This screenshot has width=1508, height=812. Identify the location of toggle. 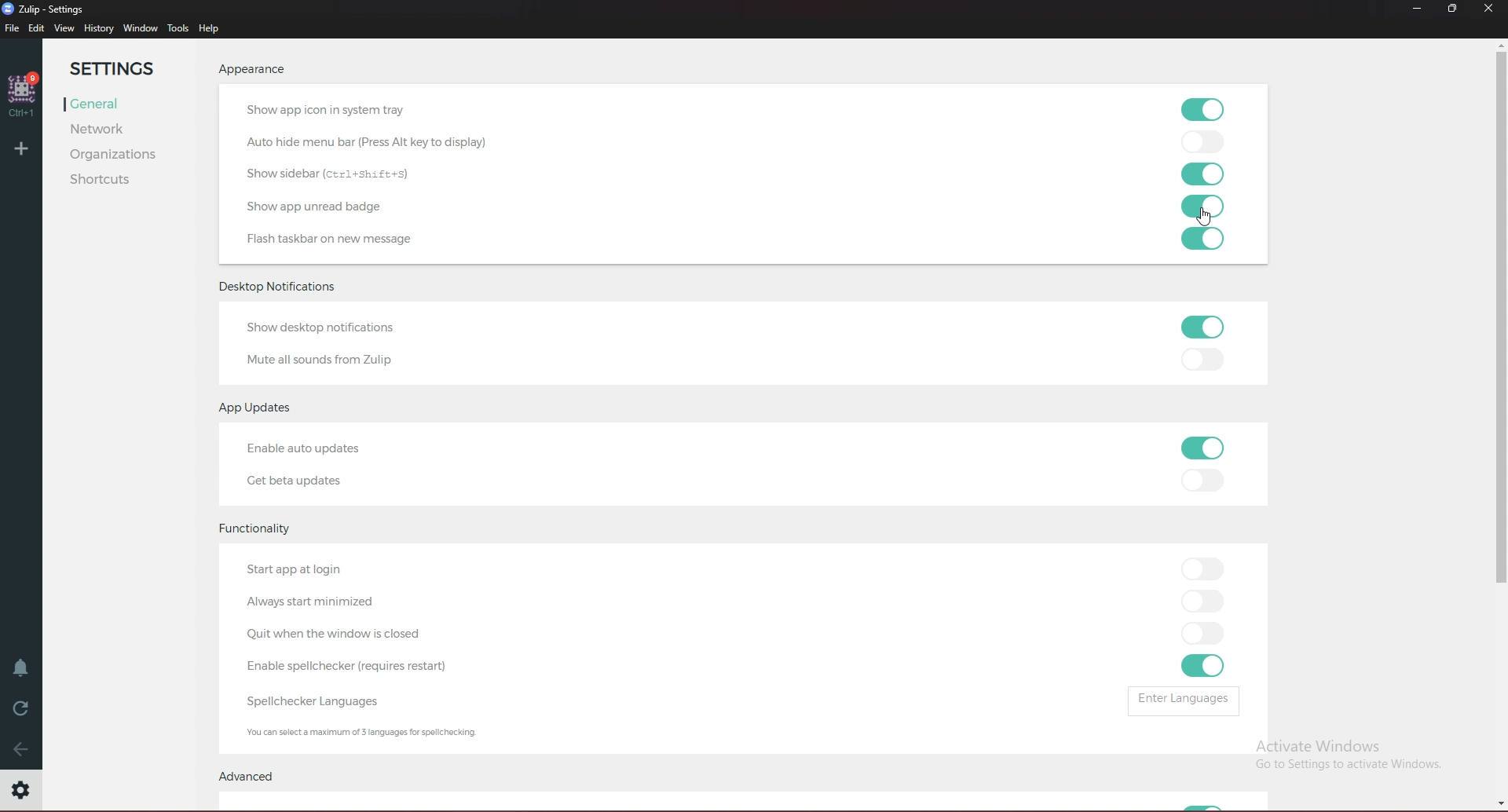
(1209, 172).